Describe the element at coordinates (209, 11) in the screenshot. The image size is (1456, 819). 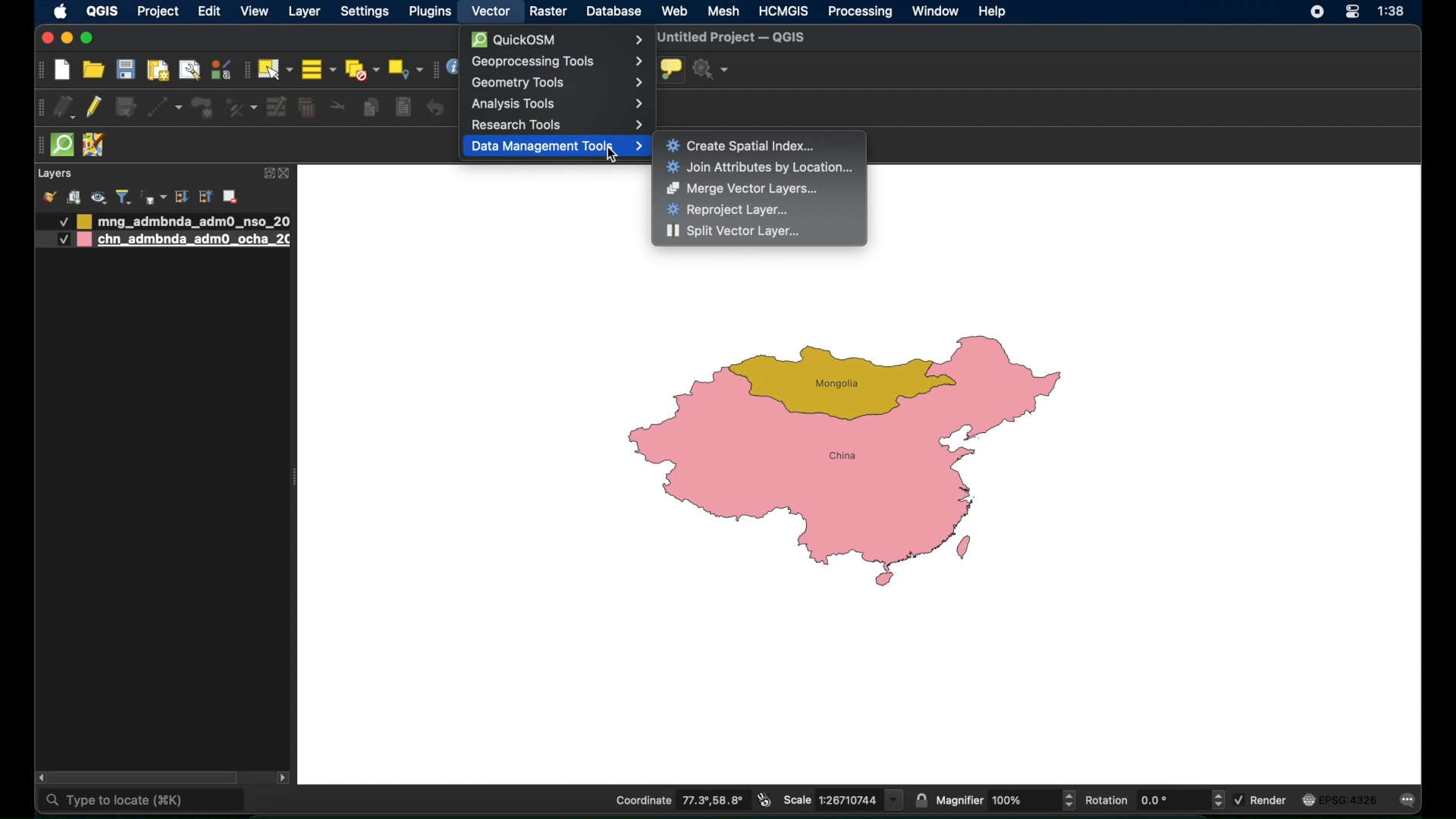
I see `edit` at that location.